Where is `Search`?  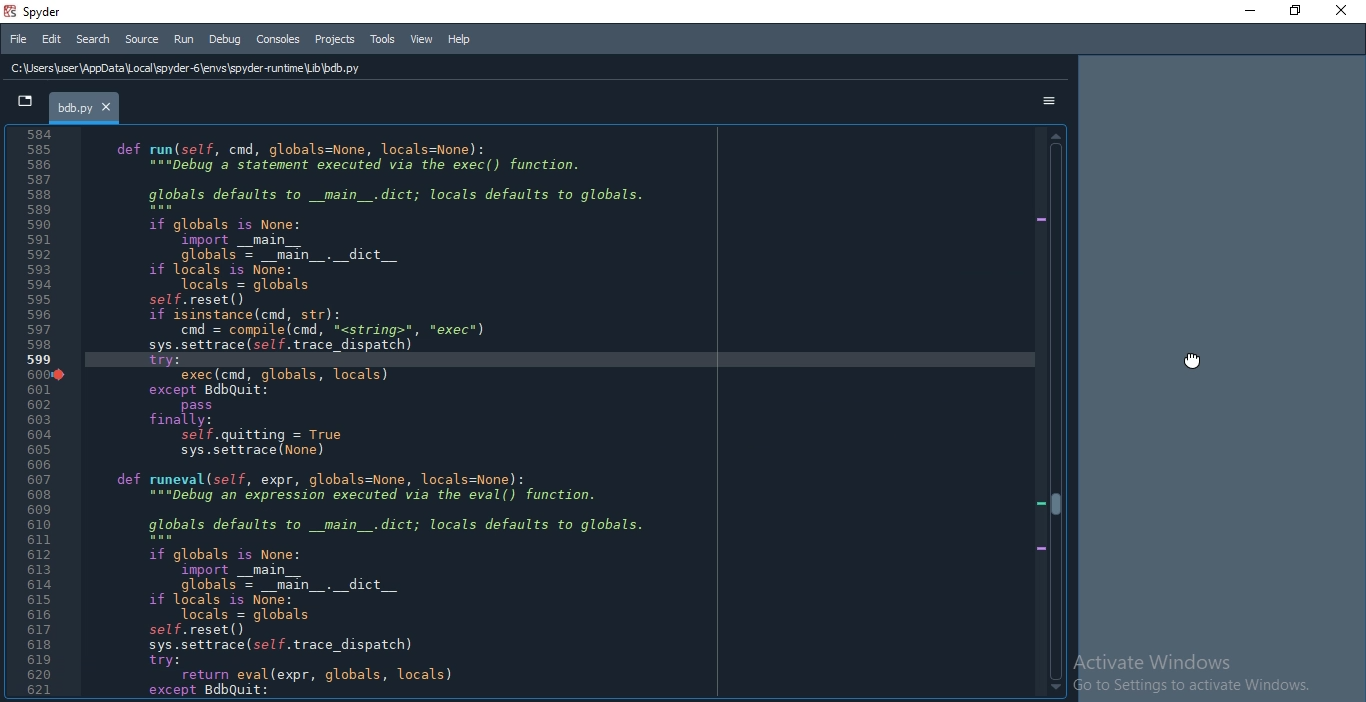
Search is located at coordinates (96, 40).